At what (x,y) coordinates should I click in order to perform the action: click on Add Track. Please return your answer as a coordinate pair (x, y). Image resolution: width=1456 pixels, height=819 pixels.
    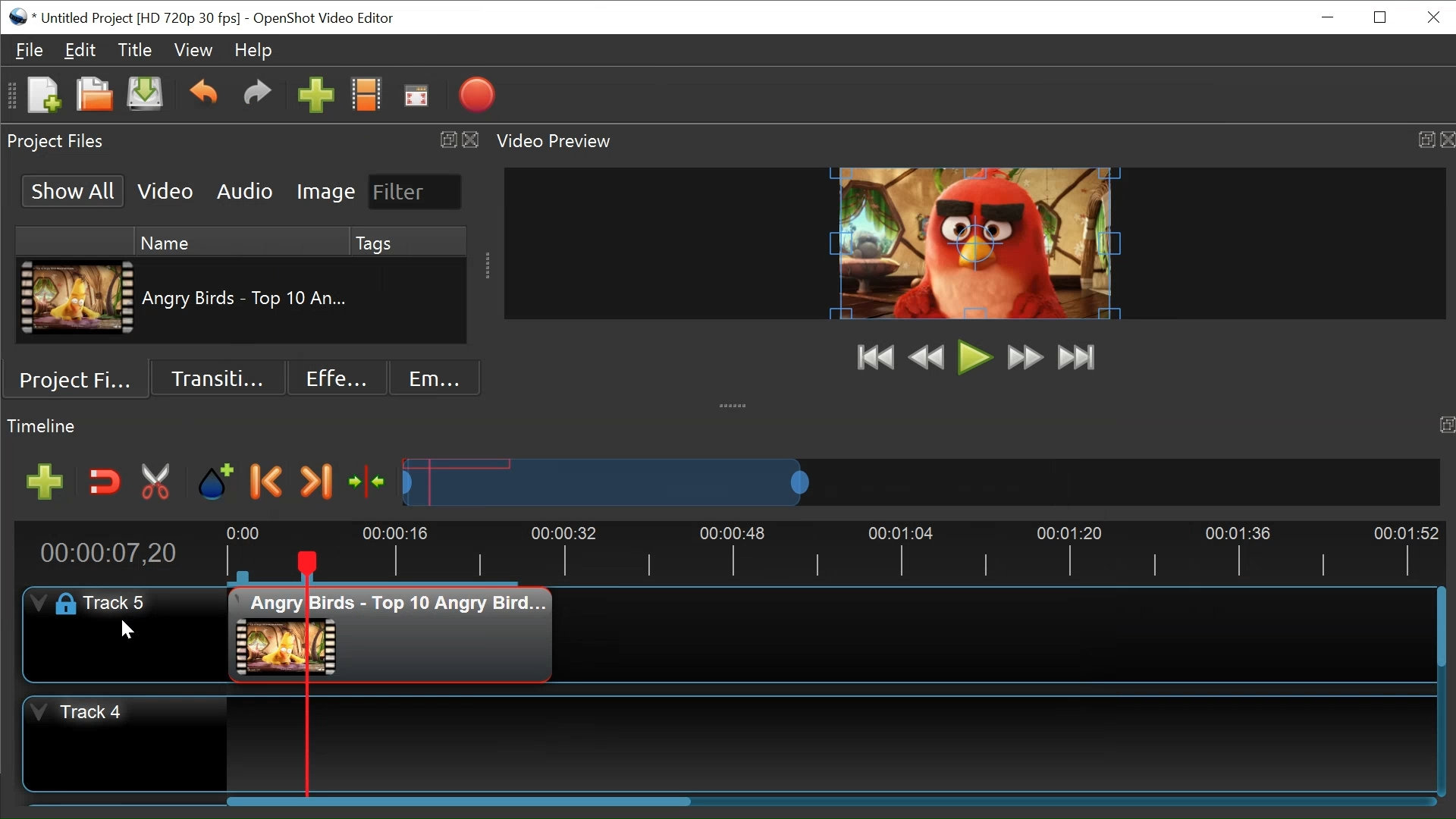
    Looking at the image, I should click on (45, 482).